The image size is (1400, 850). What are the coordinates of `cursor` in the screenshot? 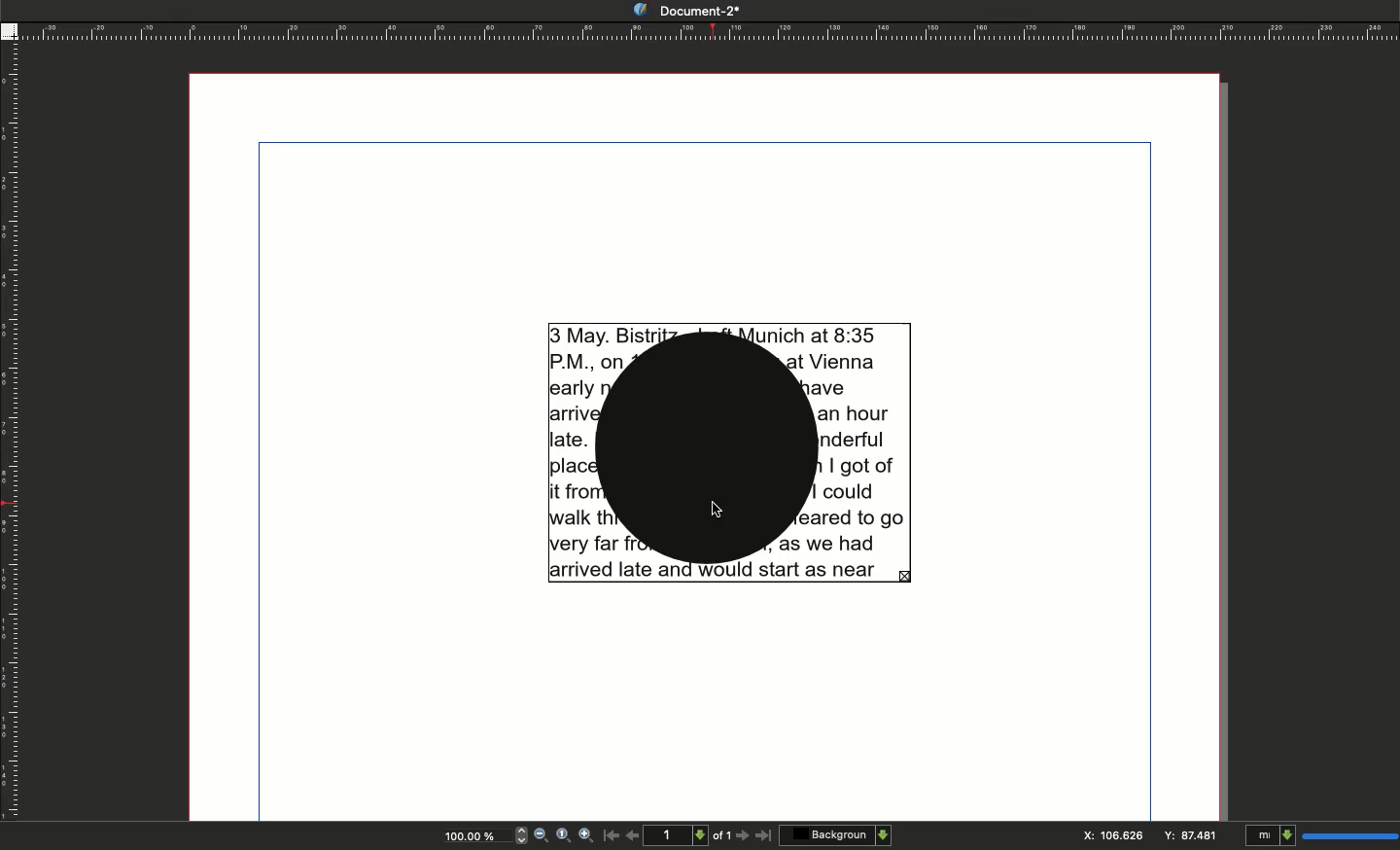 It's located at (717, 509).